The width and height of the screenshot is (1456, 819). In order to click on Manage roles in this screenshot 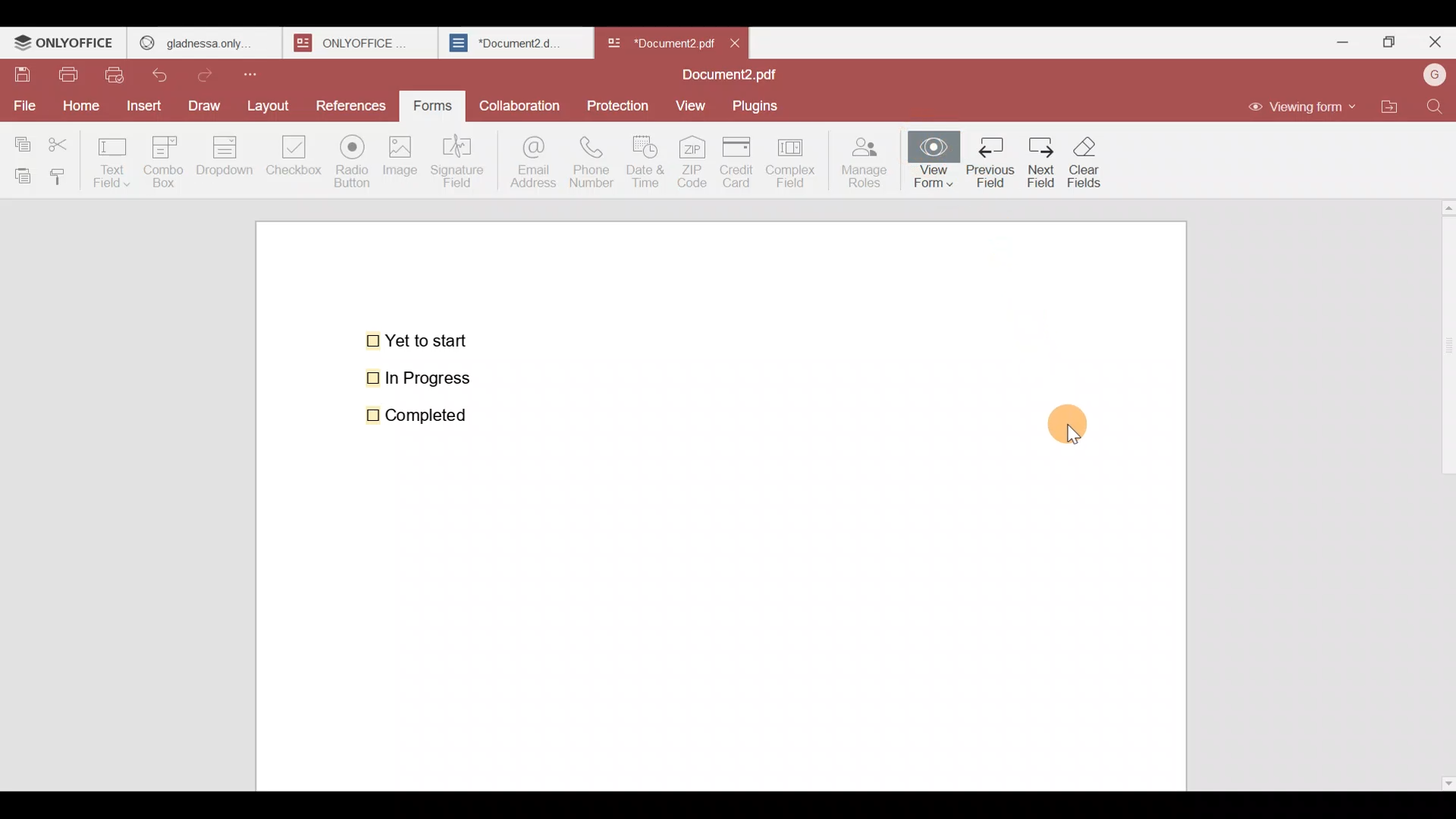, I will do `click(864, 158)`.